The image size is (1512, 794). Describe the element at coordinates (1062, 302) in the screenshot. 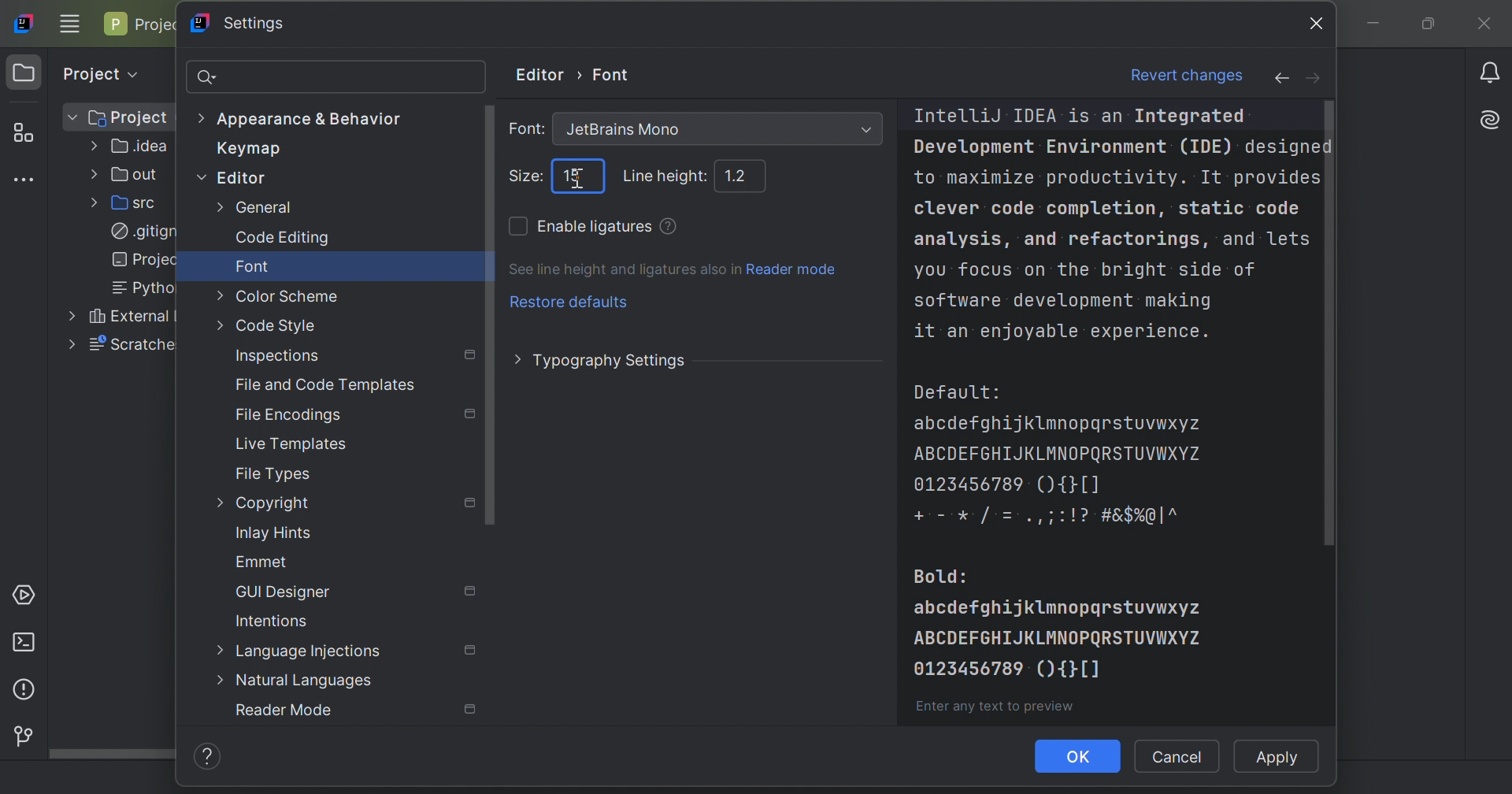

I see `software development making` at that location.